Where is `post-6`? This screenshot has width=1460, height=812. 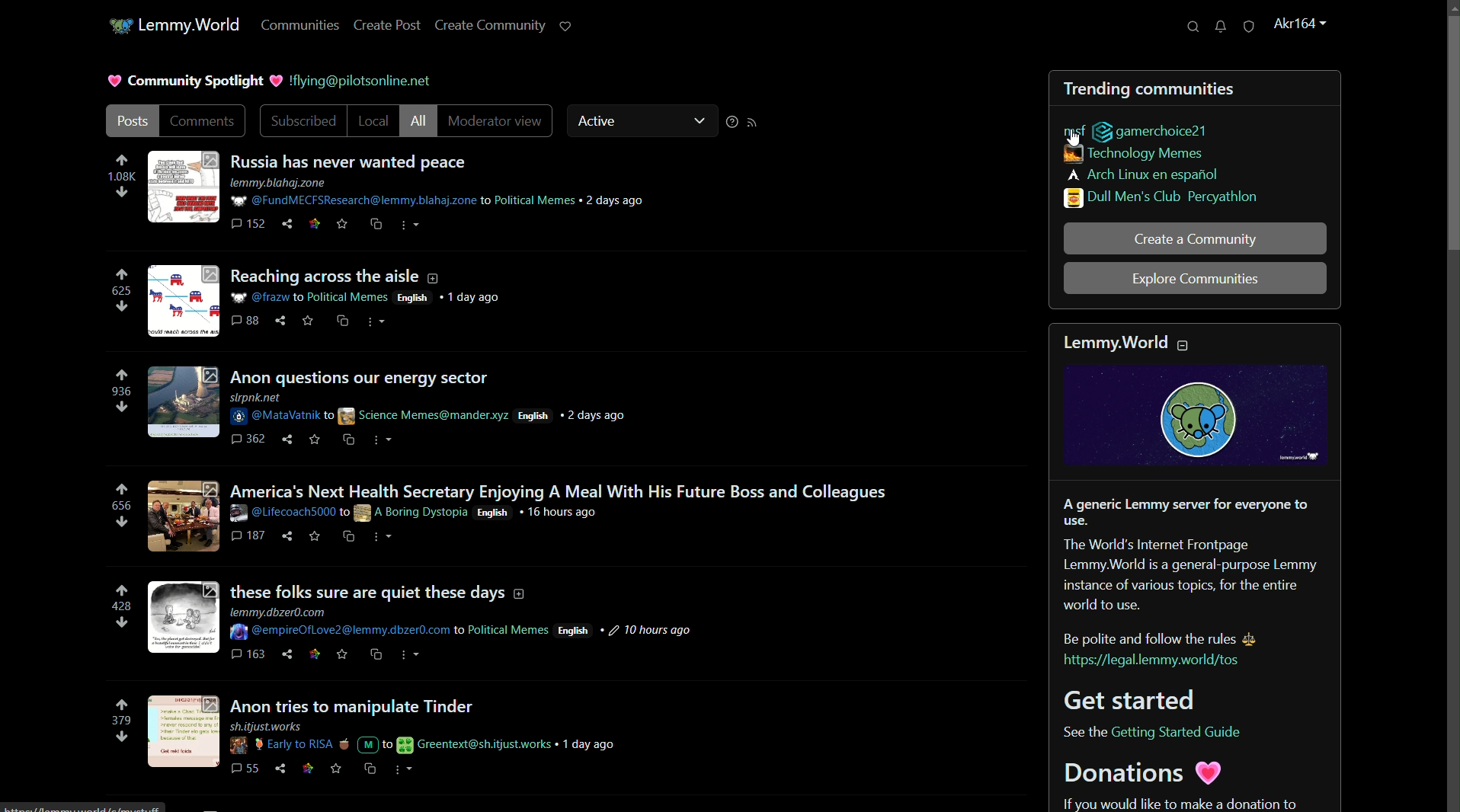 post-6 is located at coordinates (422, 704).